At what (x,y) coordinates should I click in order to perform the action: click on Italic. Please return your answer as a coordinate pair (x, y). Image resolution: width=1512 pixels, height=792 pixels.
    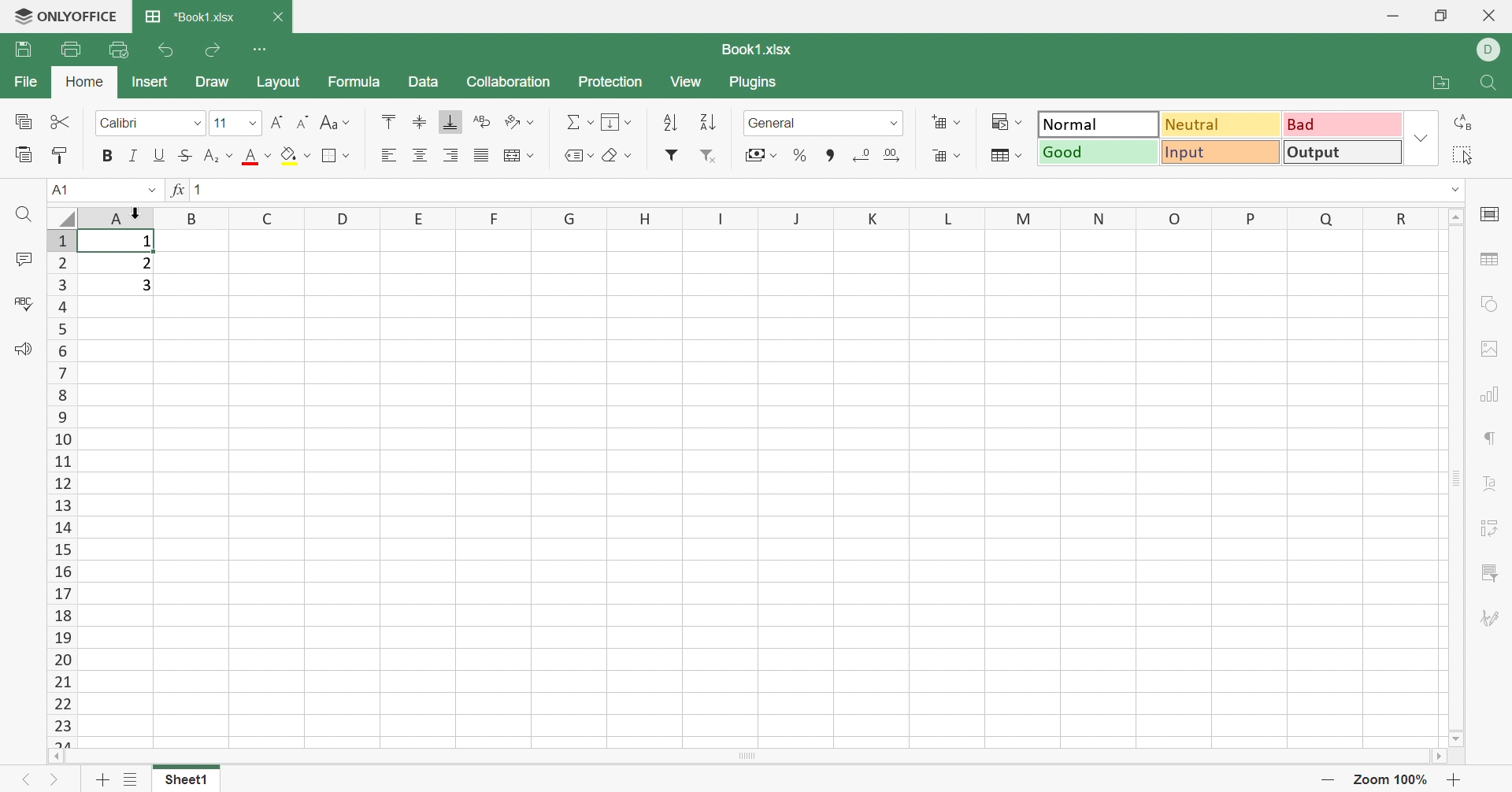
    Looking at the image, I should click on (133, 155).